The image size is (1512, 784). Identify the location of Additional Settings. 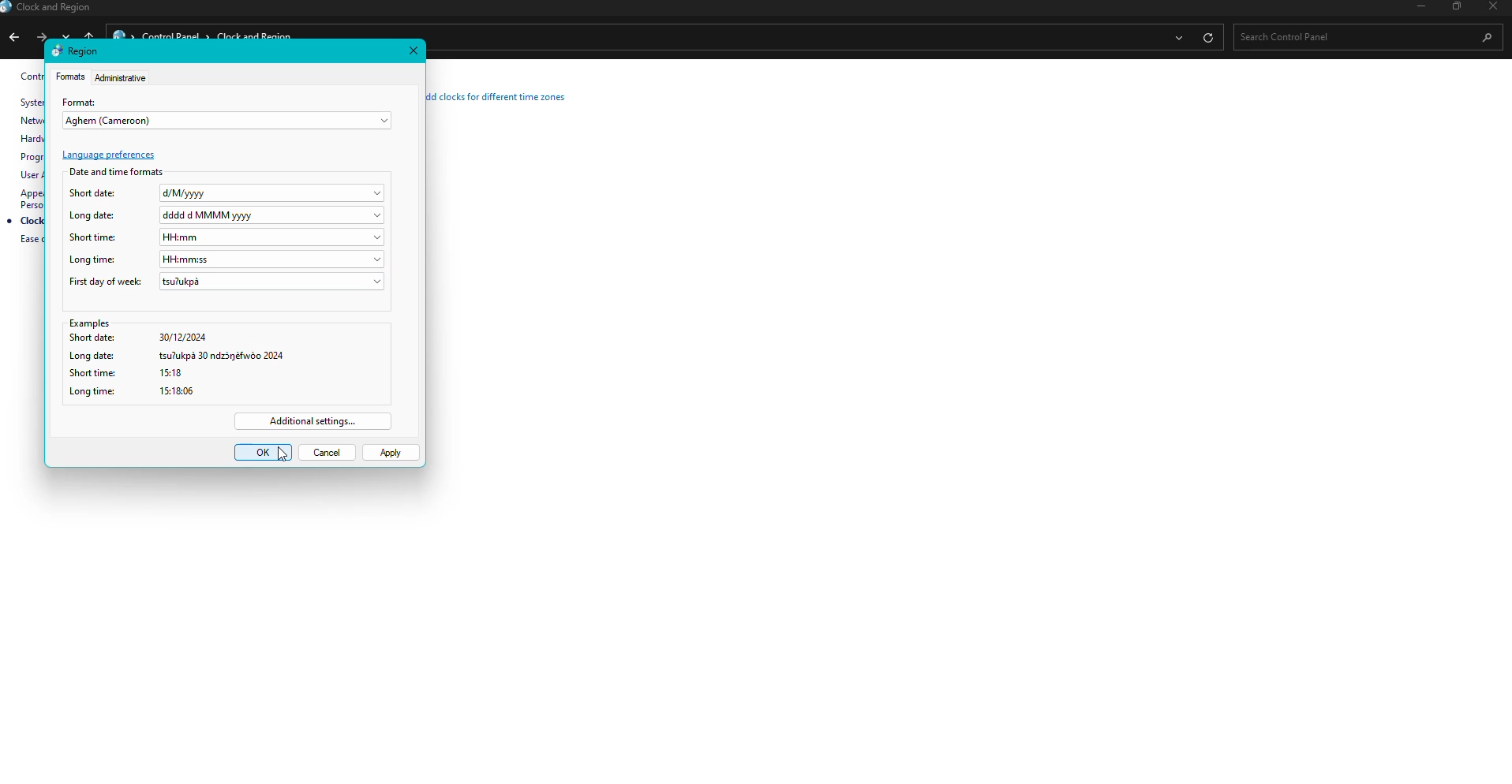
(314, 421).